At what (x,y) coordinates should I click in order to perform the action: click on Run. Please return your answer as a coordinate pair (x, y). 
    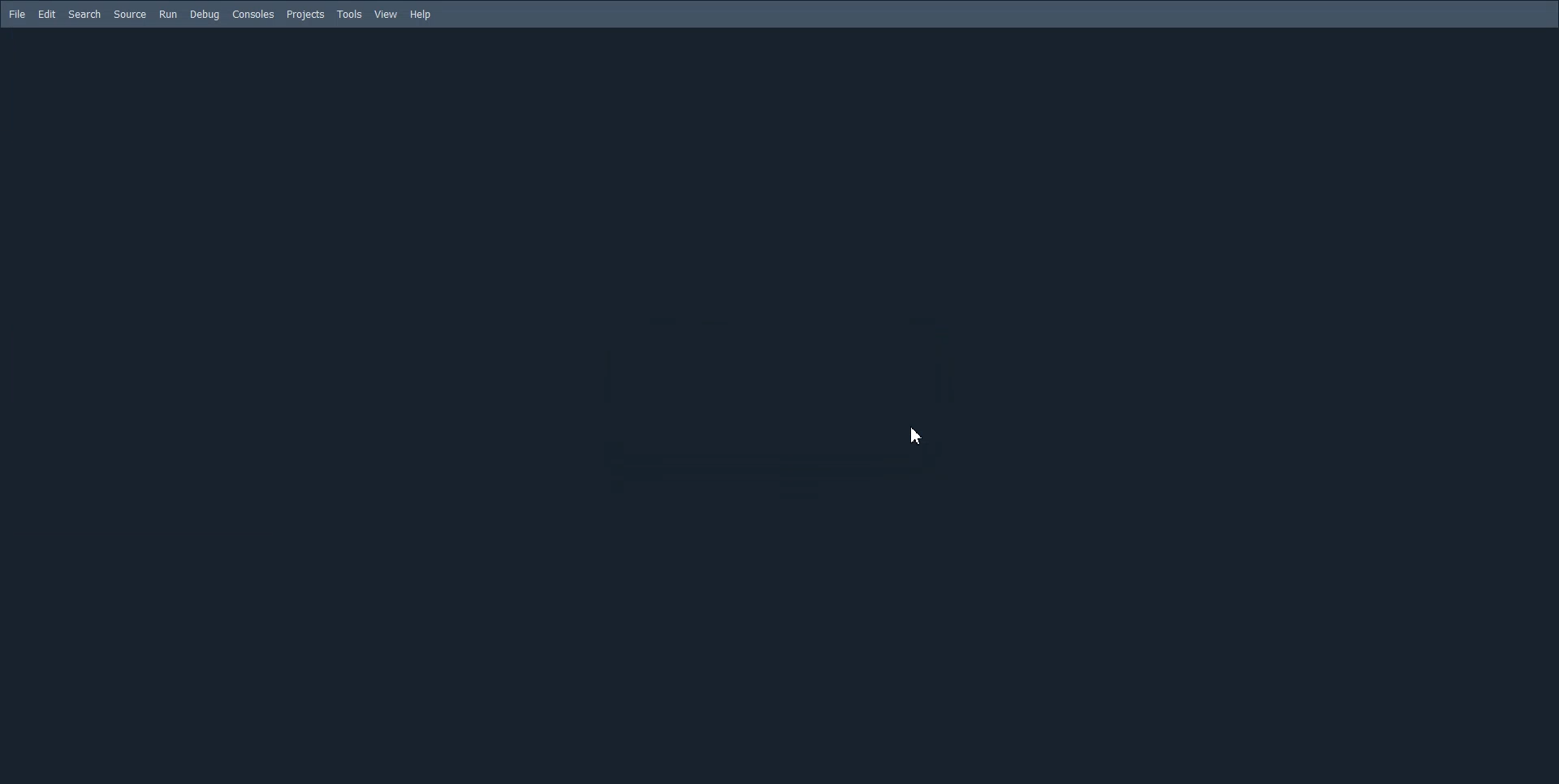
    Looking at the image, I should click on (167, 14).